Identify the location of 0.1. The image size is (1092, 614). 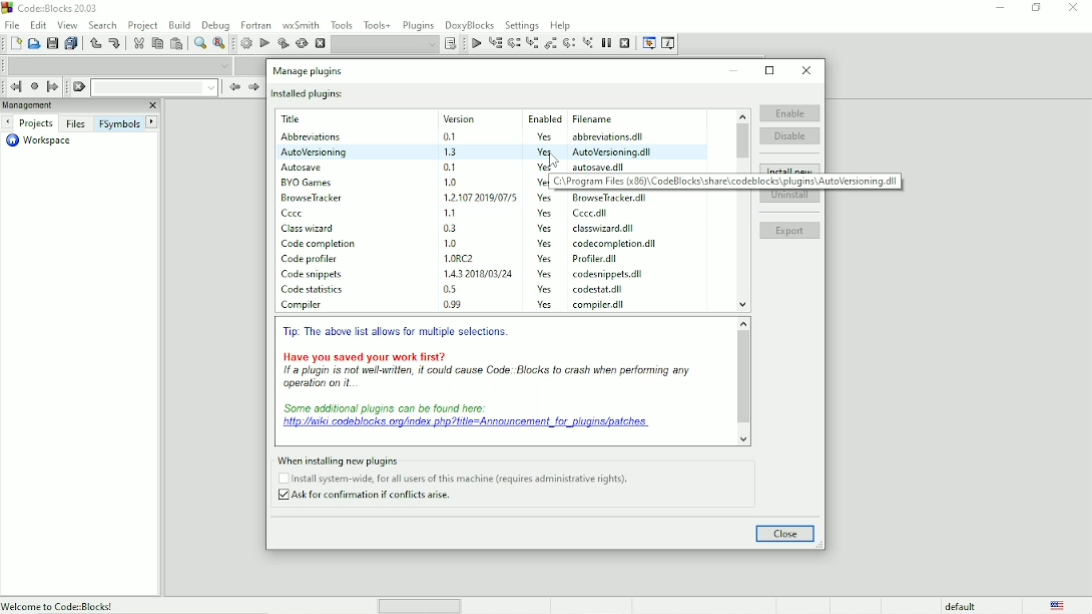
(450, 167).